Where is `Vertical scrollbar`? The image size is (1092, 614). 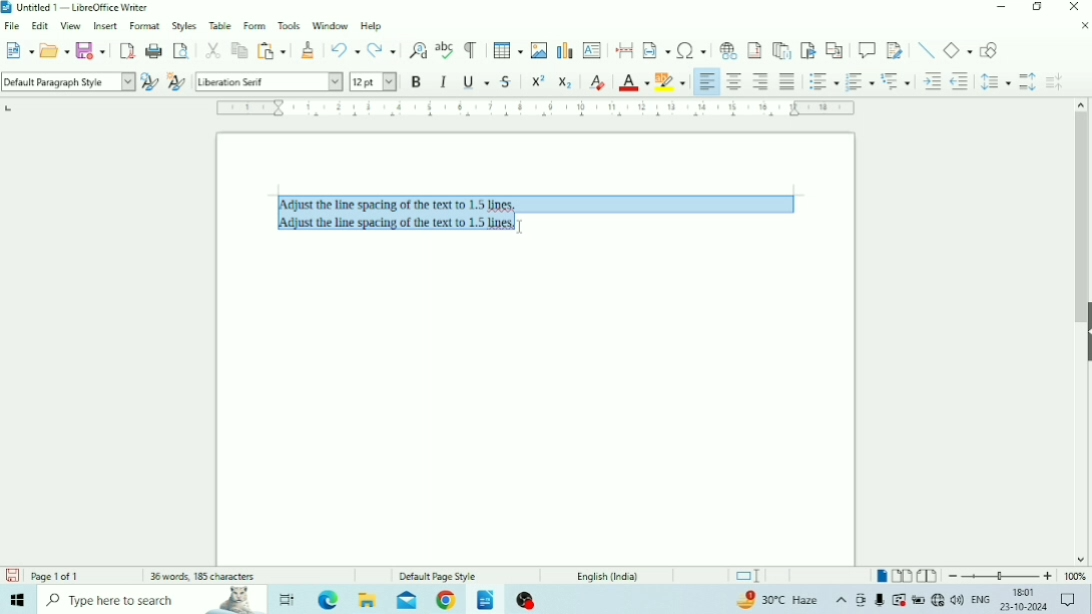
Vertical scrollbar is located at coordinates (1082, 192).